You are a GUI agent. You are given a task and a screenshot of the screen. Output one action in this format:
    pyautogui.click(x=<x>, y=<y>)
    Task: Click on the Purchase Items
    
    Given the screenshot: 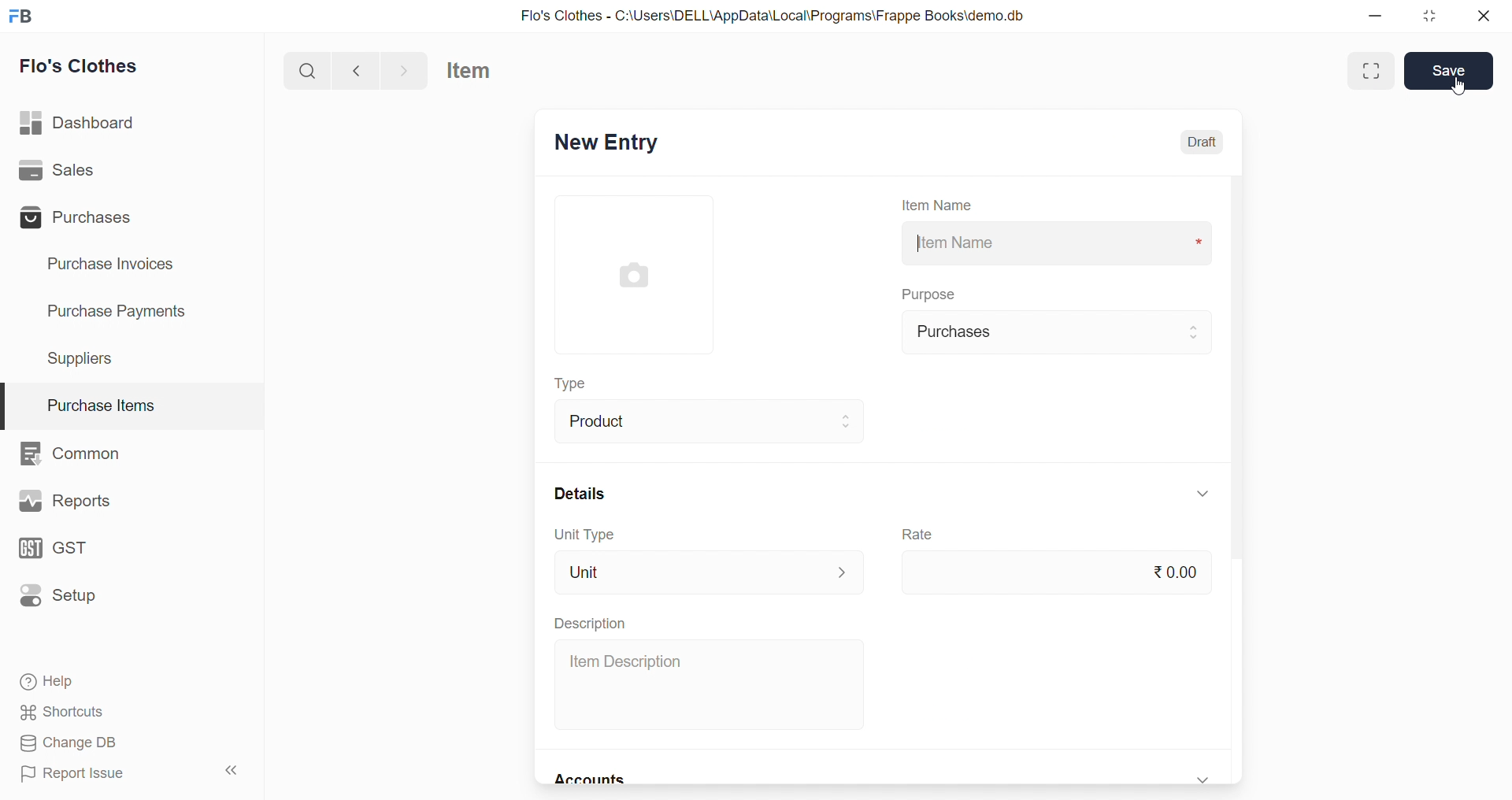 What is the action you would take?
    pyautogui.click(x=132, y=401)
    